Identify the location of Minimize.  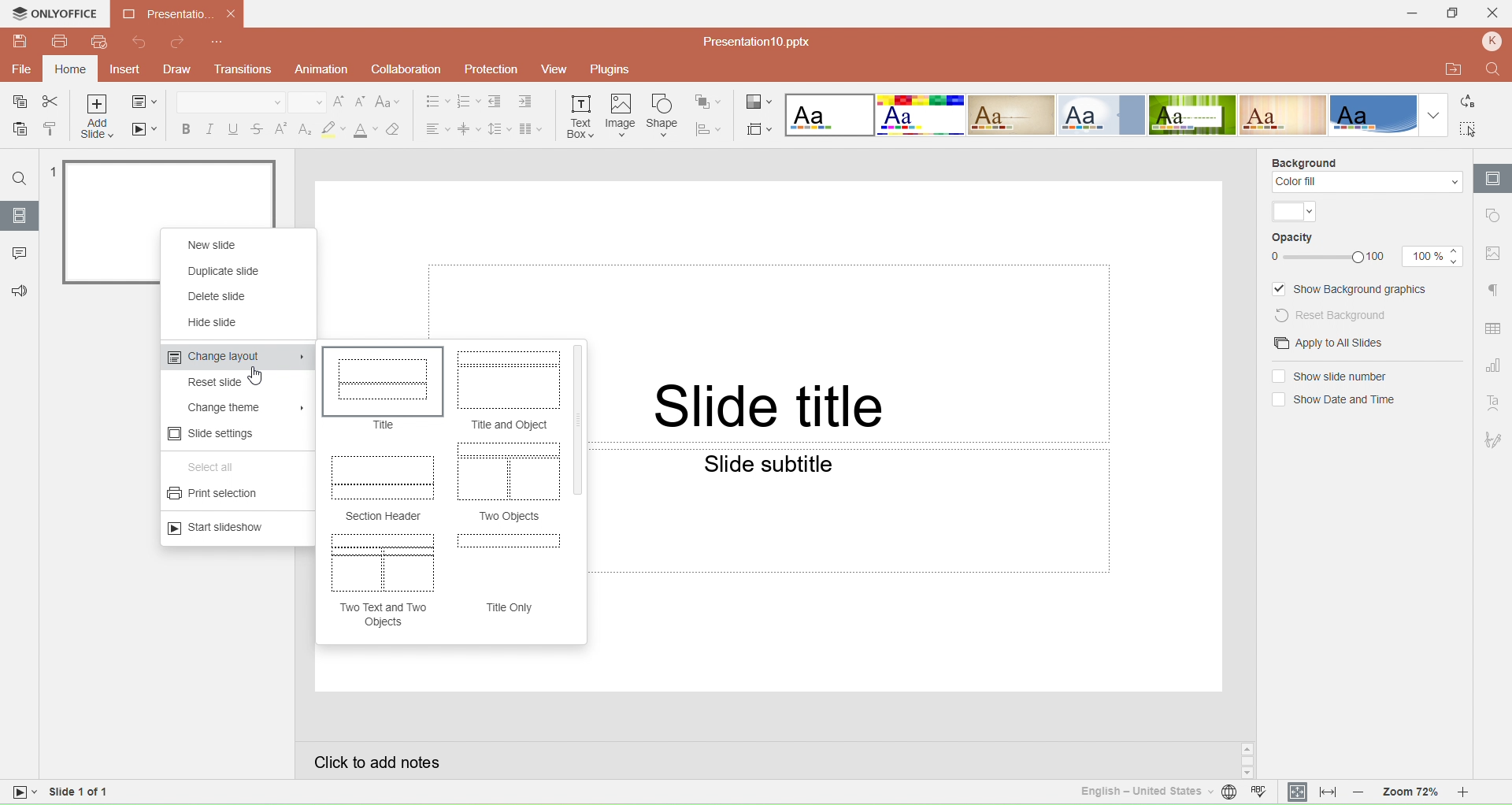
(1407, 13).